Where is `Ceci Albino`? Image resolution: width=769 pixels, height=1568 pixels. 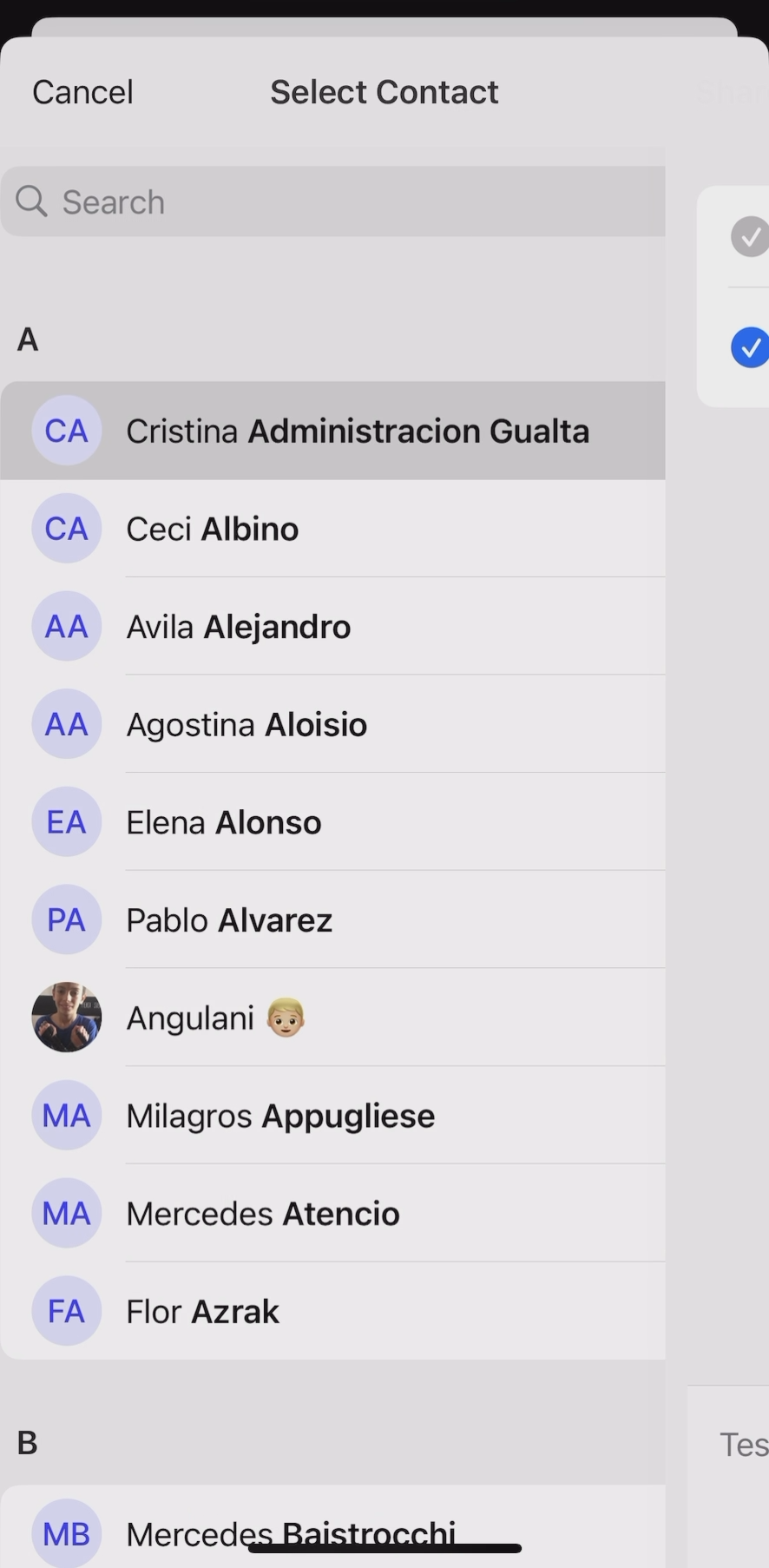
Ceci Albino is located at coordinates (172, 532).